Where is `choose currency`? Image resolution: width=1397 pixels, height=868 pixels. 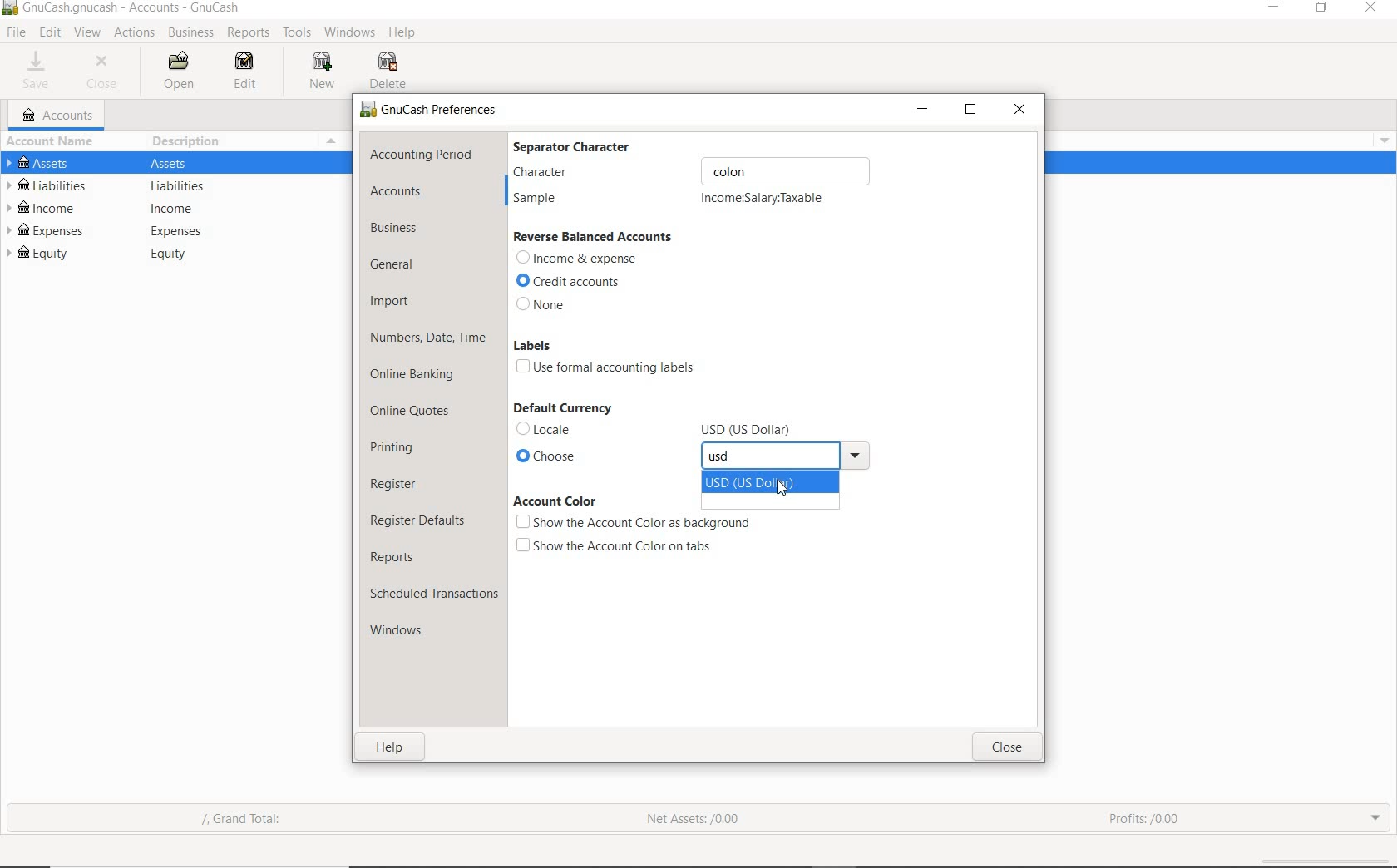 choose currency is located at coordinates (591, 458).